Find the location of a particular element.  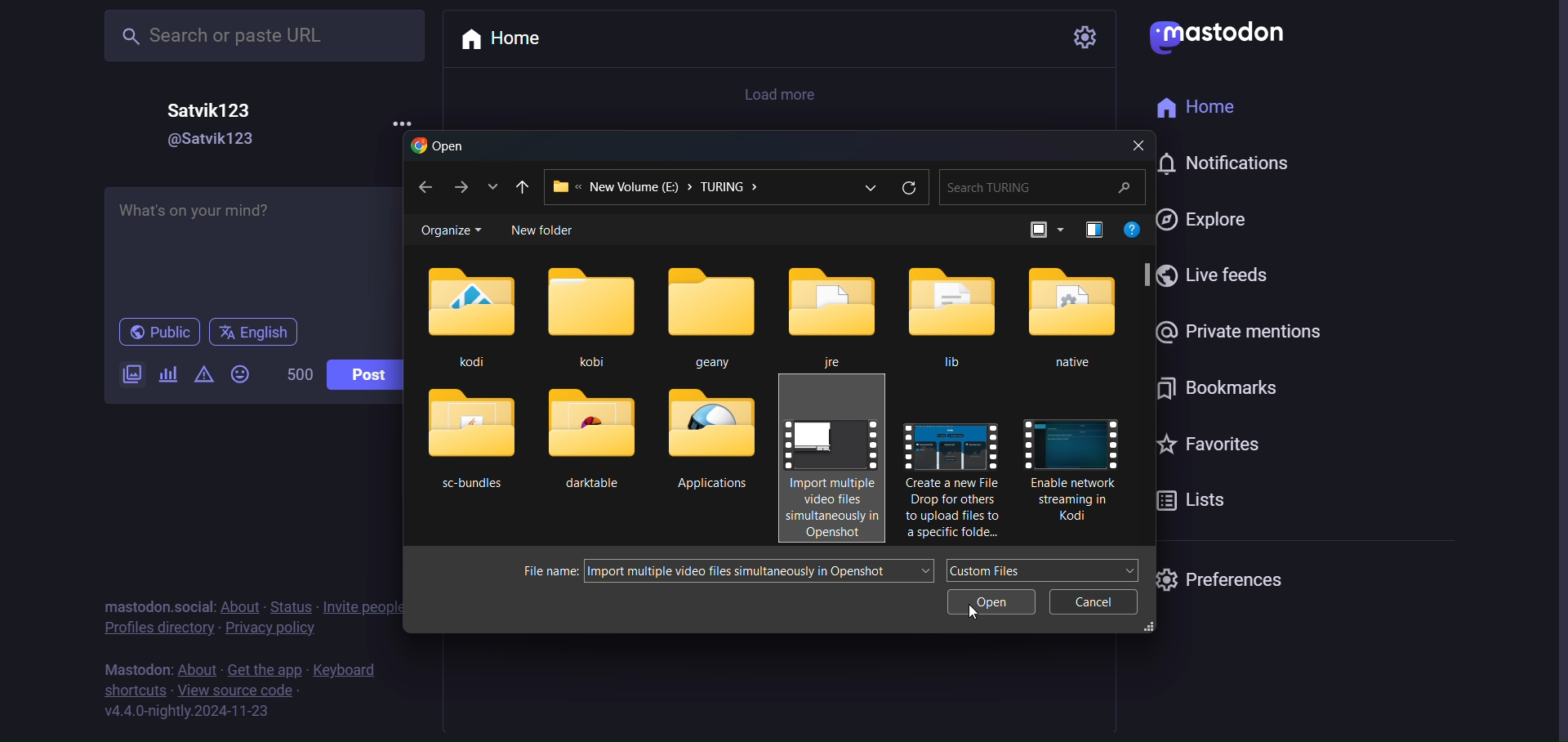

previous is located at coordinates (522, 185).